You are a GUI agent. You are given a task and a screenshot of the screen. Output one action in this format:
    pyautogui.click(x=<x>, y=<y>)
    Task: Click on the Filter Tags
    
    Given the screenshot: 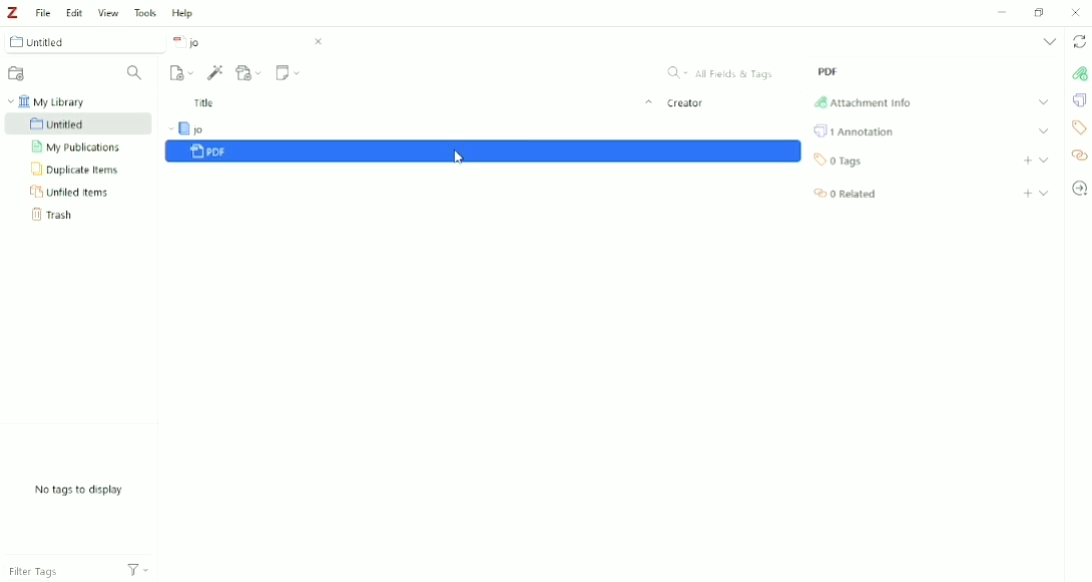 What is the action you would take?
    pyautogui.click(x=53, y=572)
    